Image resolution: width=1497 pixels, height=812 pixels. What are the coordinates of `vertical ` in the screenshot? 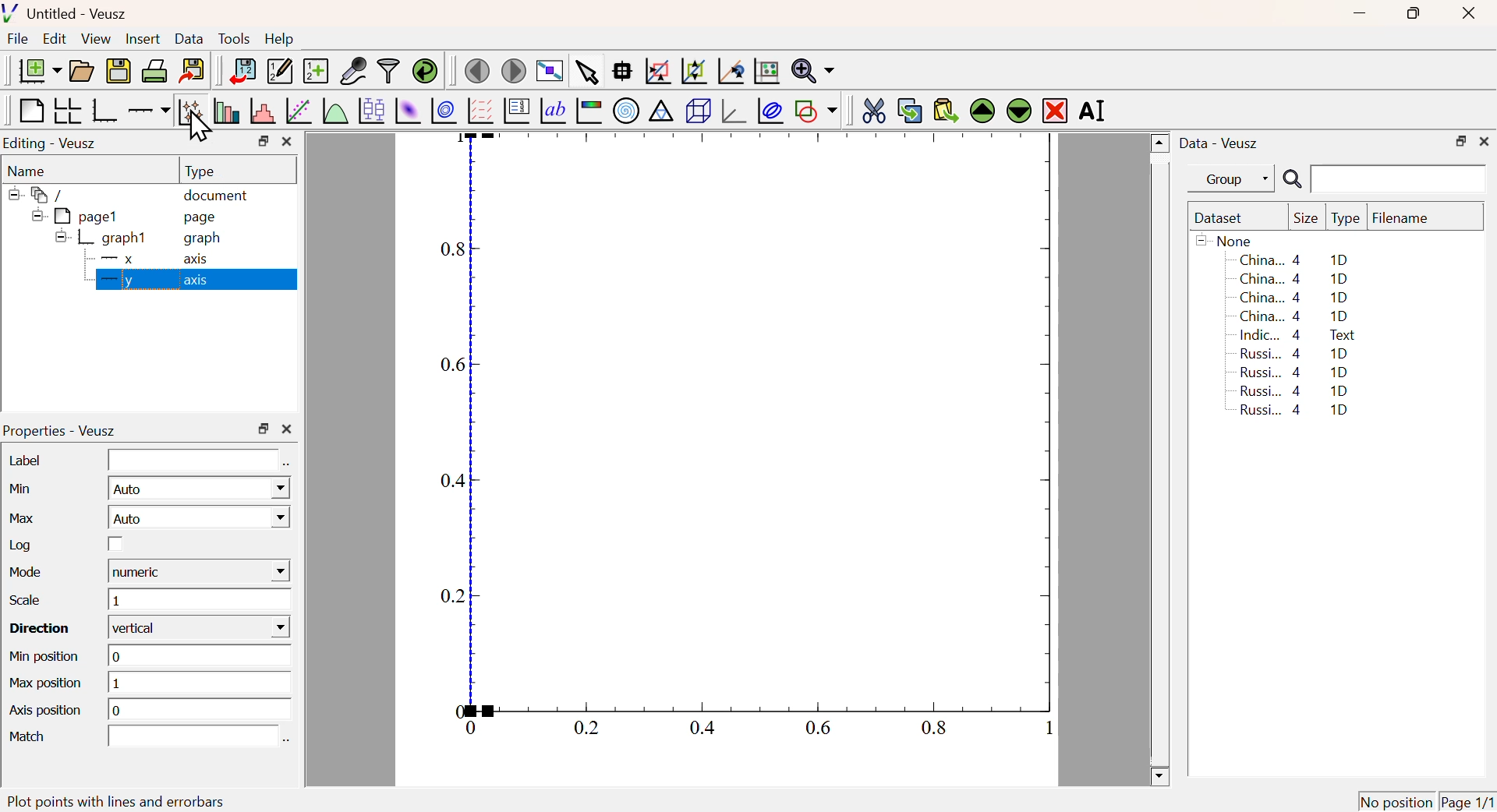 It's located at (202, 628).